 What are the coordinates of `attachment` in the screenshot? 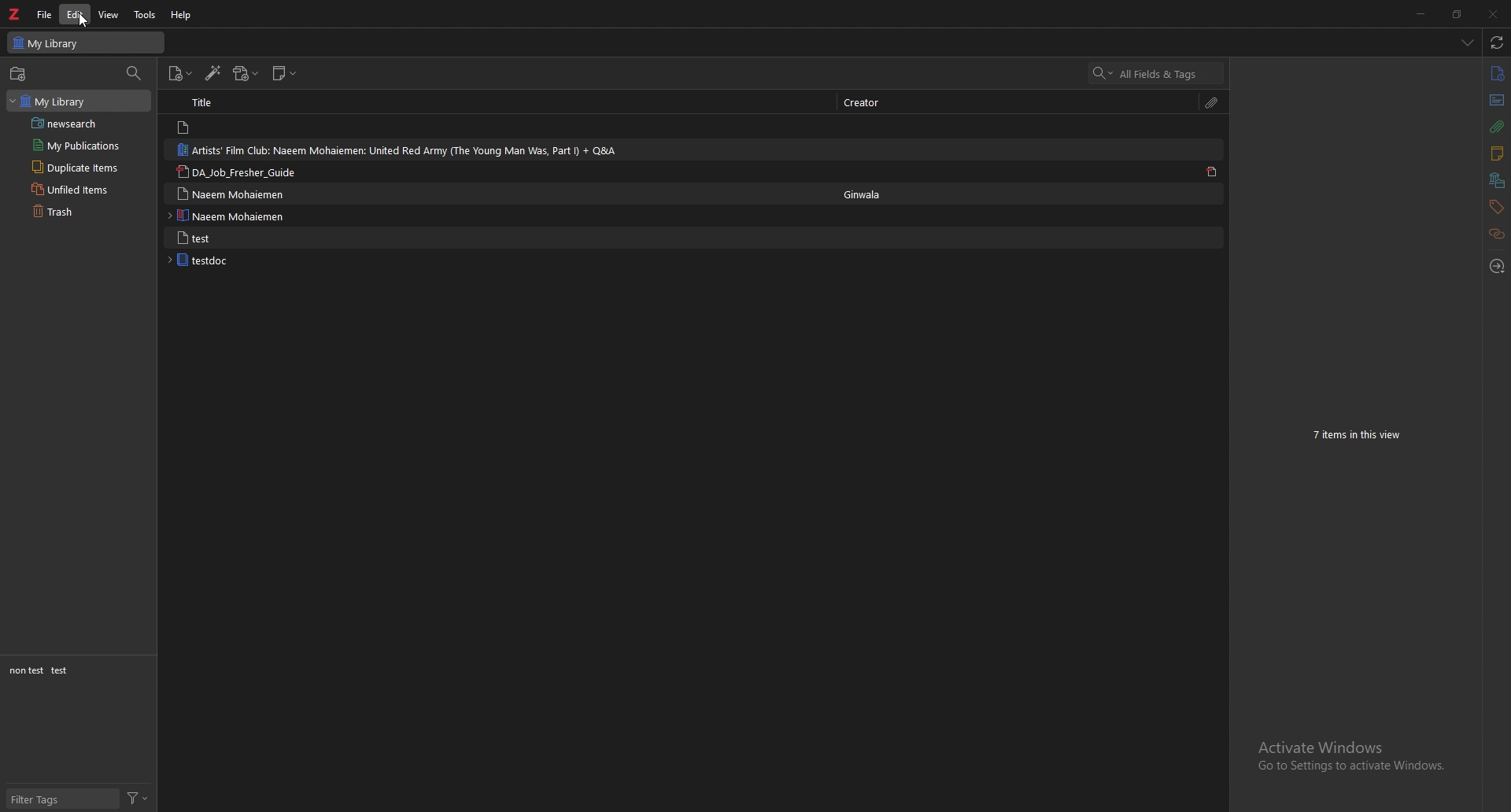 It's located at (1213, 101).